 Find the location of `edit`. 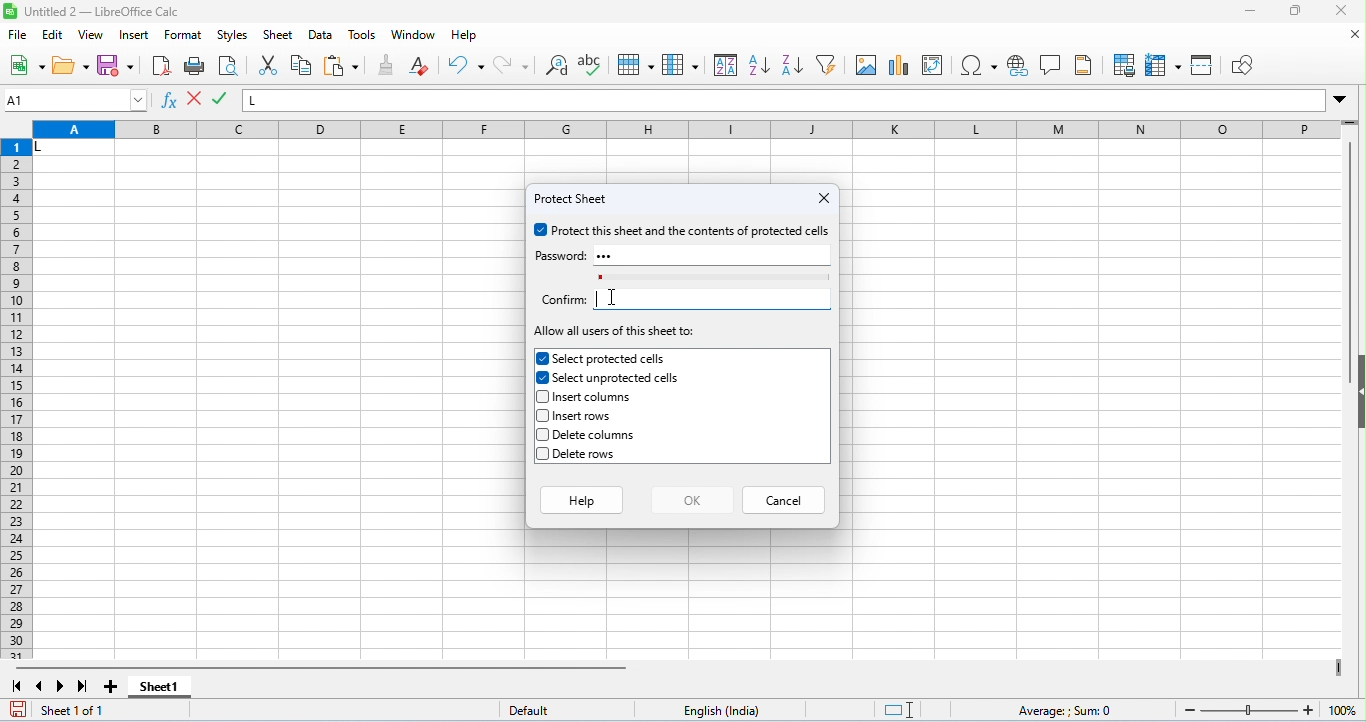

edit is located at coordinates (54, 36).